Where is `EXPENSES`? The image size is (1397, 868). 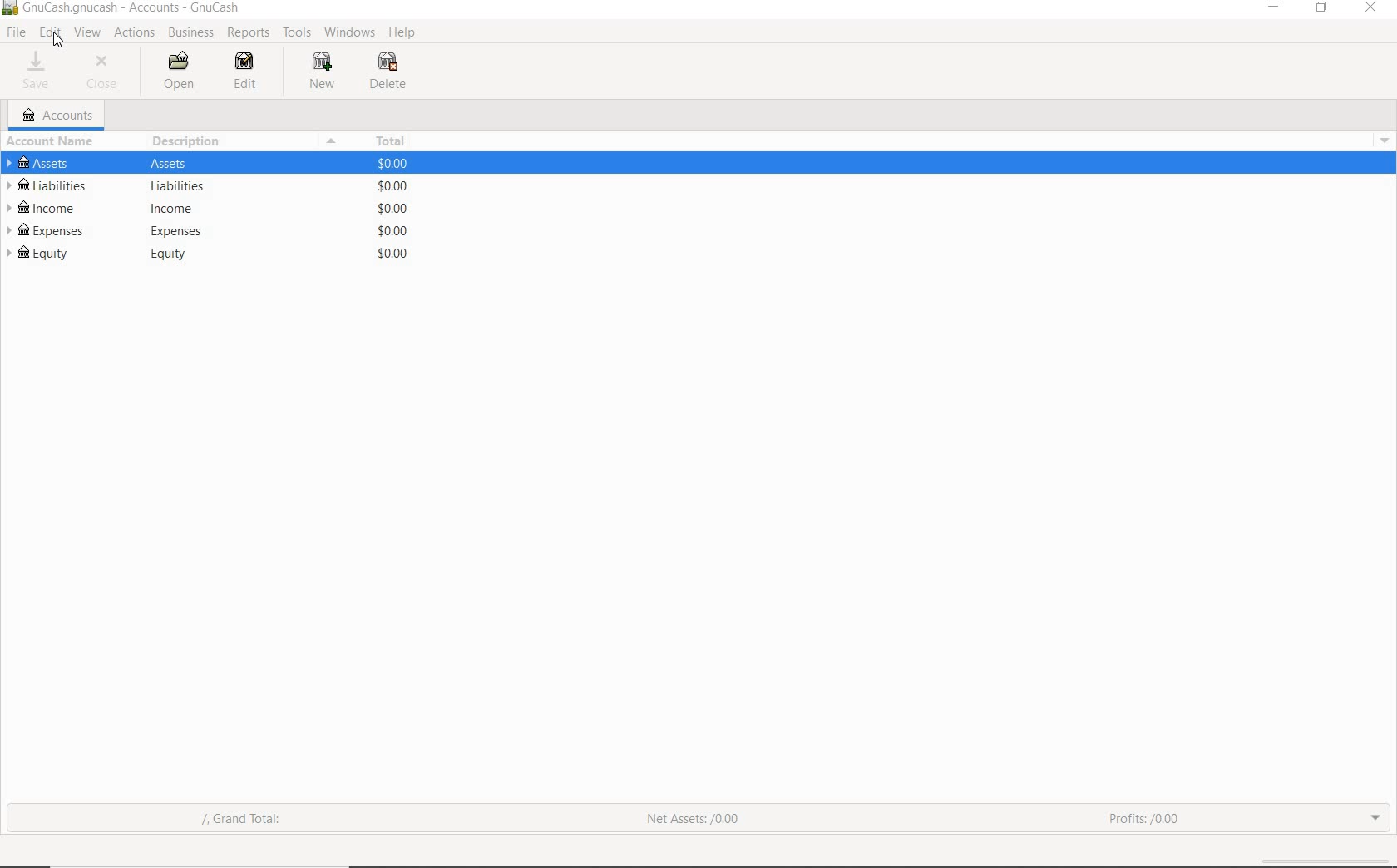
EXPENSES is located at coordinates (48, 231).